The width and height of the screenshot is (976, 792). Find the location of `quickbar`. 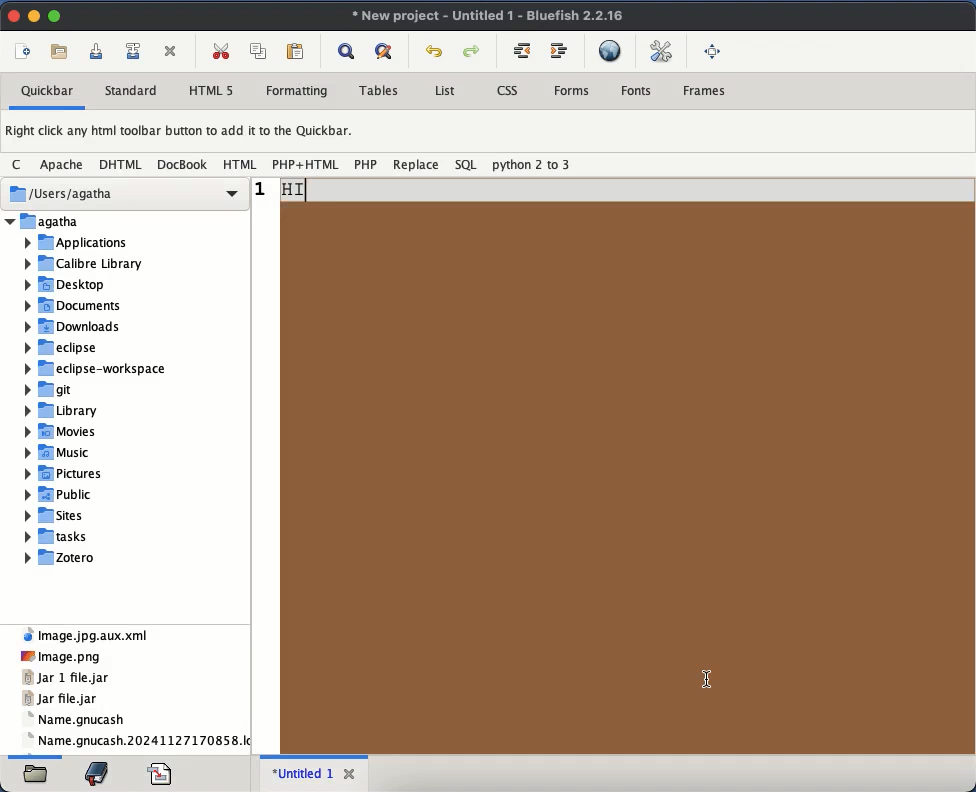

quickbar is located at coordinates (48, 90).